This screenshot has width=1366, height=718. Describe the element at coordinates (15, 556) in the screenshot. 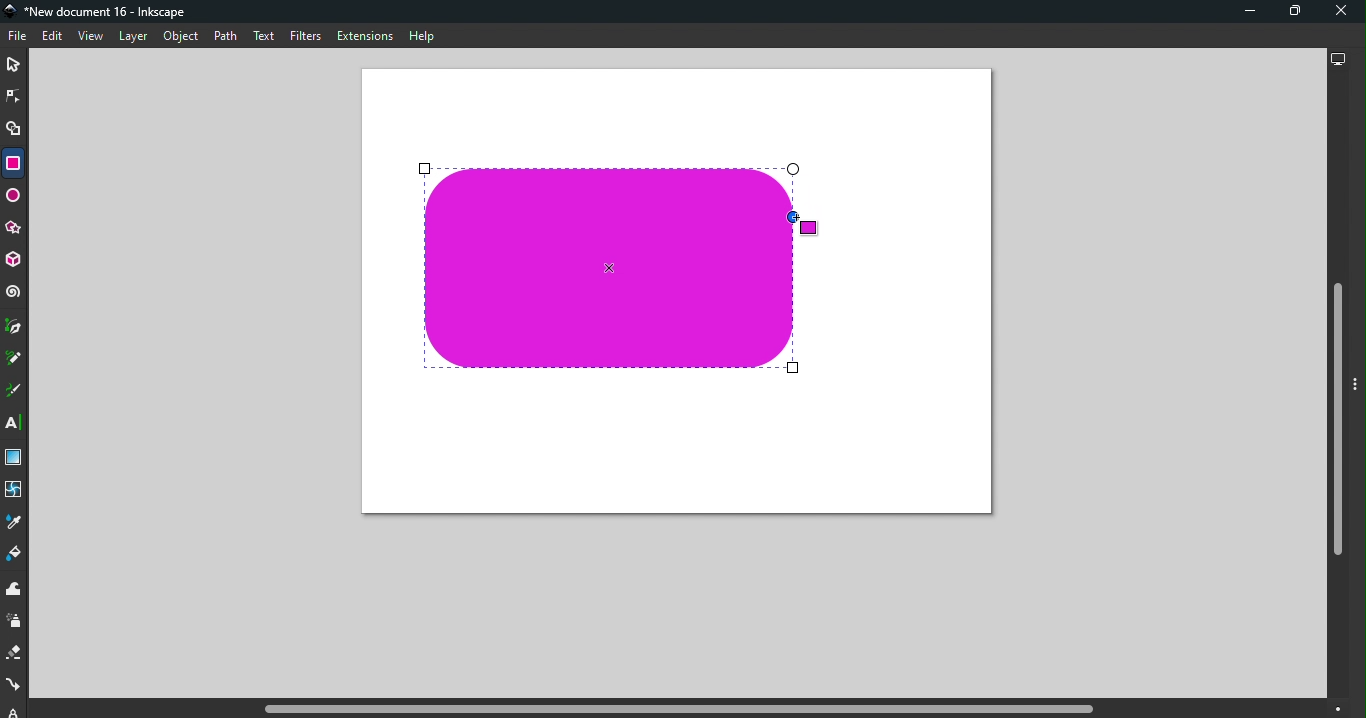

I see `Paint bucket tool` at that location.